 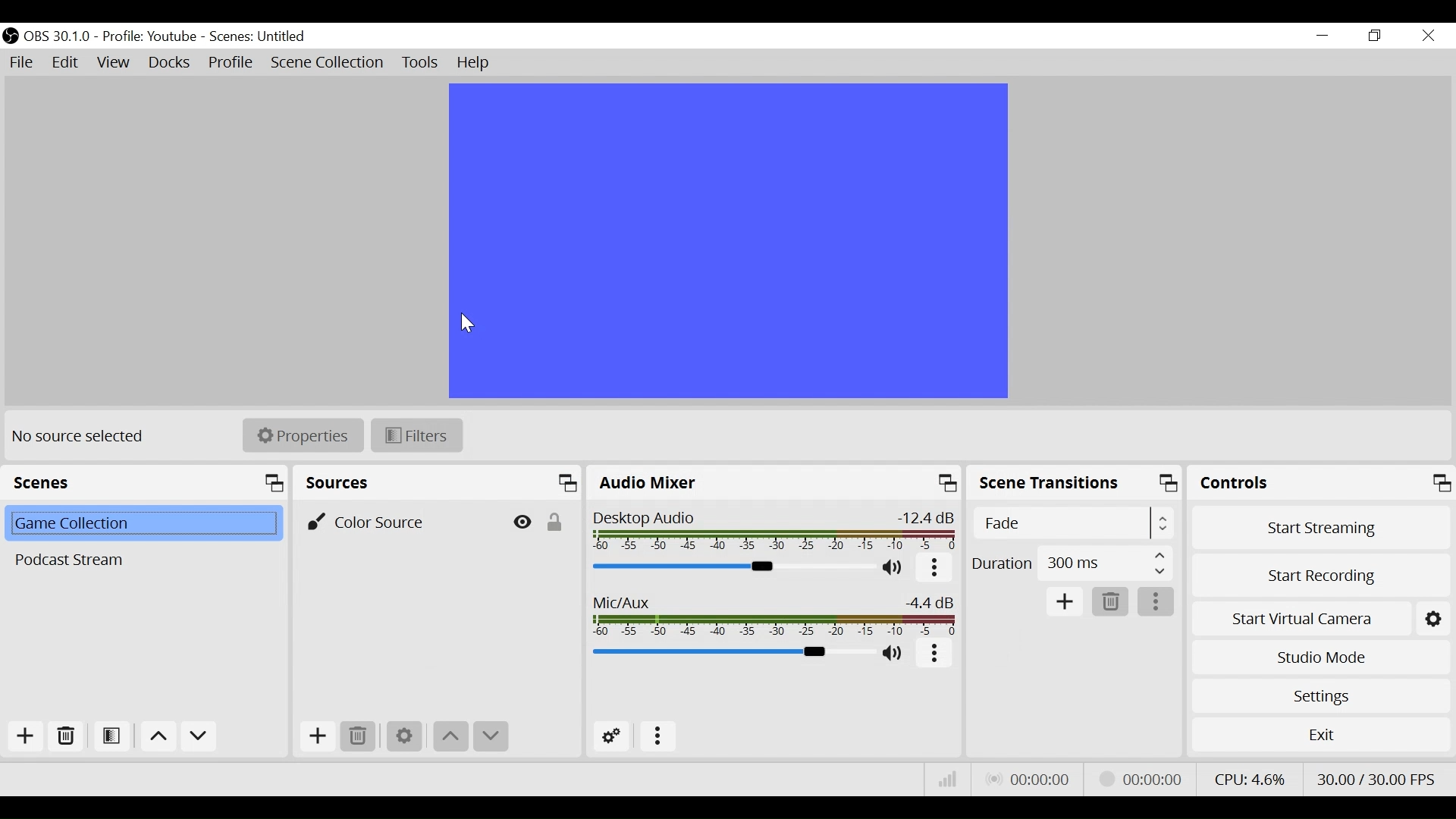 What do you see at coordinates (318, 738) in the screenshot?
I see `Add ` at bounding box center [318, 738].